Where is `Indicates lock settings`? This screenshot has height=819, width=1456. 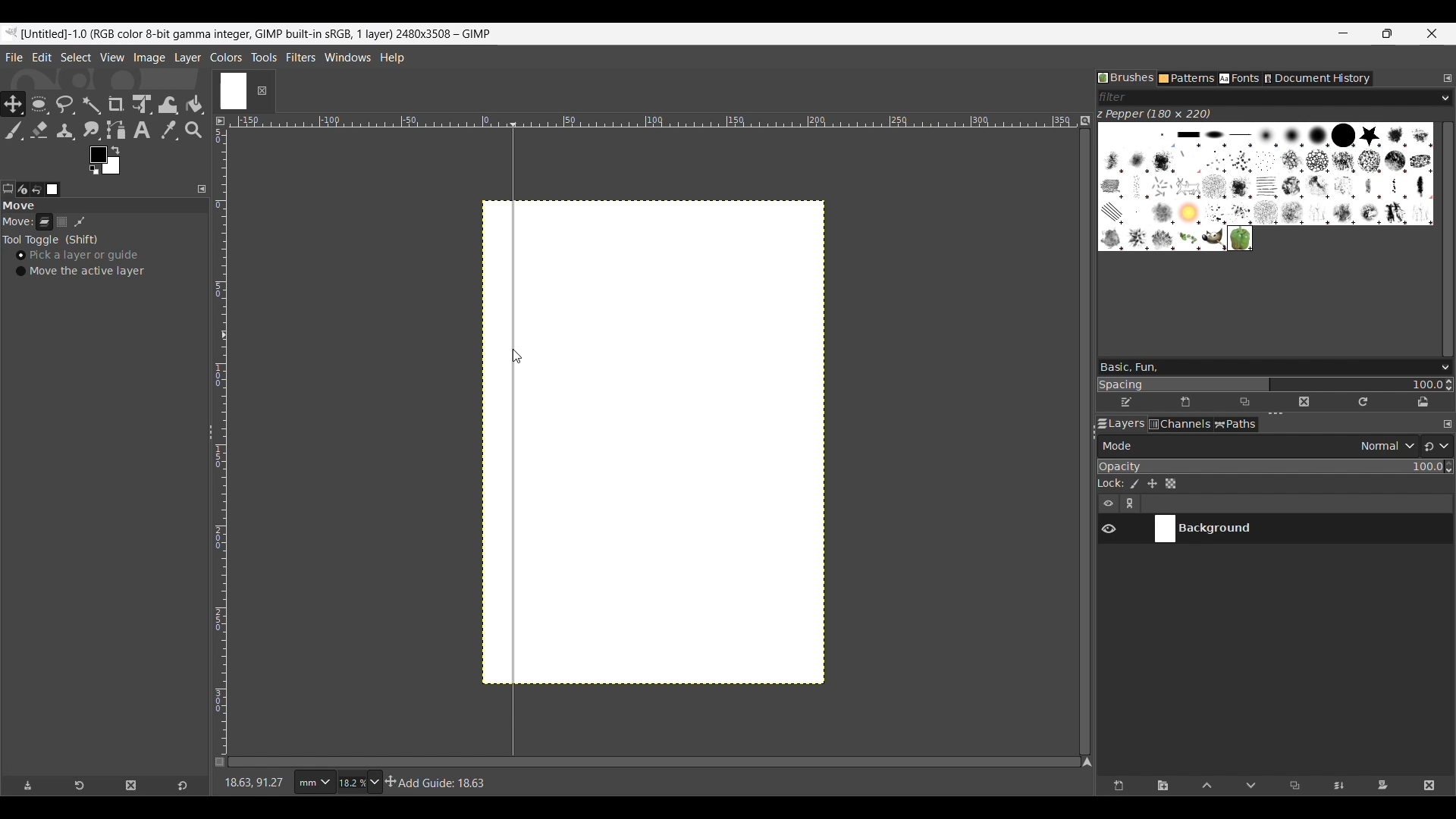 Indicates lock settings is located at coordinates (1111, 483).